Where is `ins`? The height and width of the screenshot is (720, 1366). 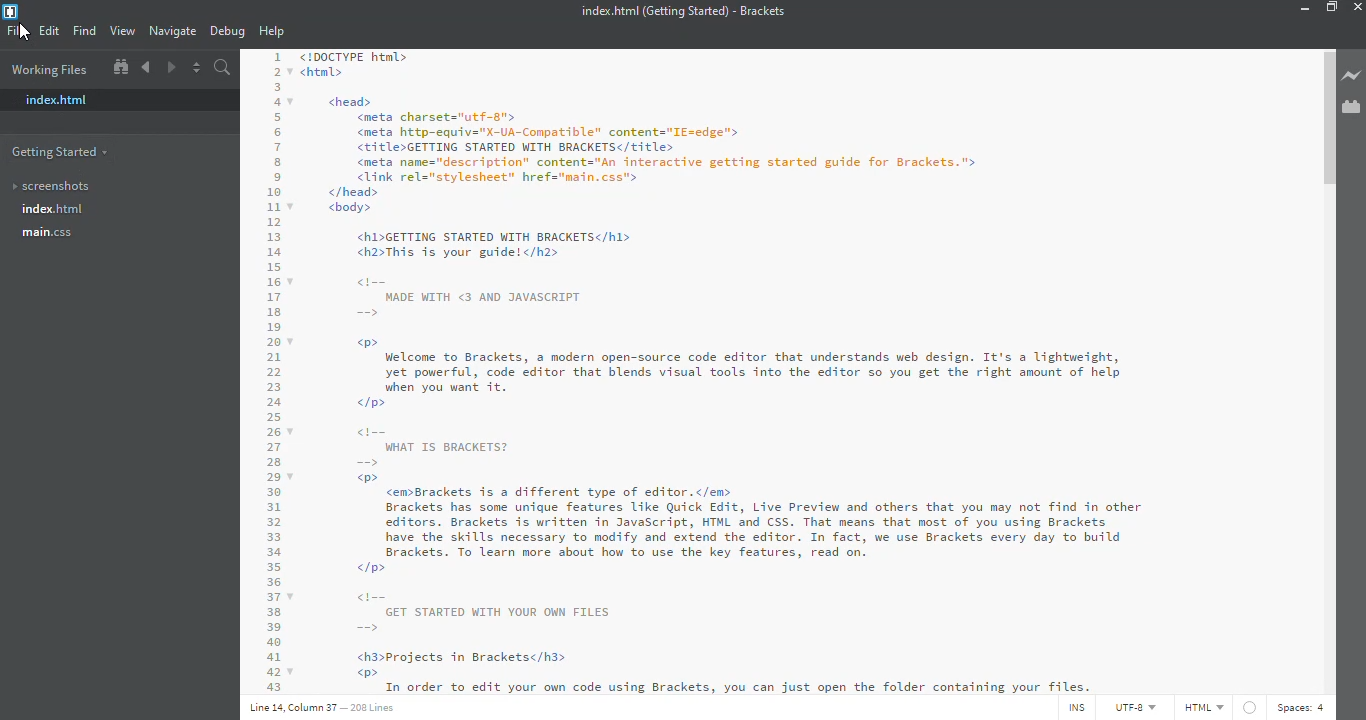 ins is located at coordinates (1074, 706).